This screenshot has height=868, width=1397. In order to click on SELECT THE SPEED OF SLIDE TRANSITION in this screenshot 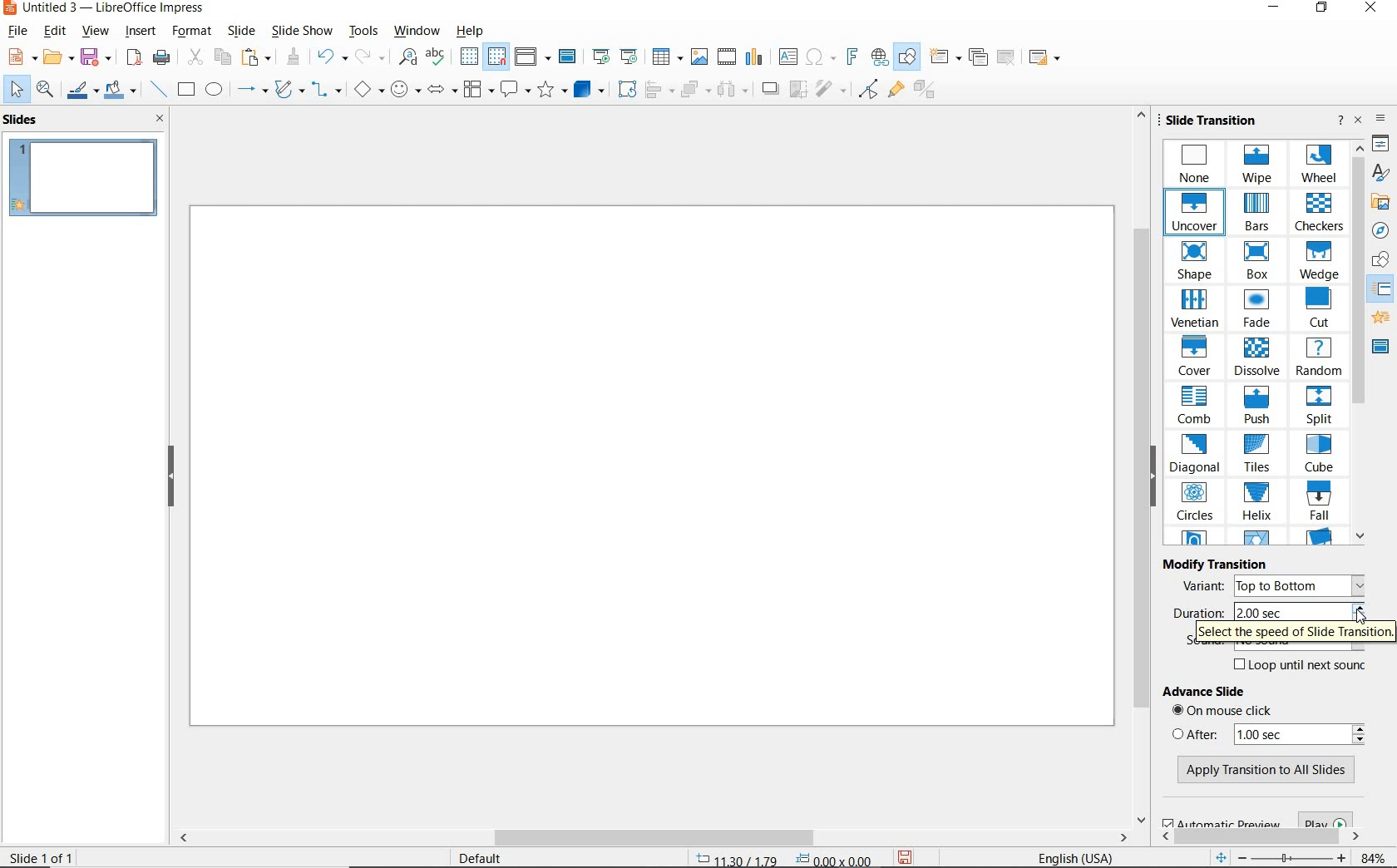, I will do `click(1295, 636)`.